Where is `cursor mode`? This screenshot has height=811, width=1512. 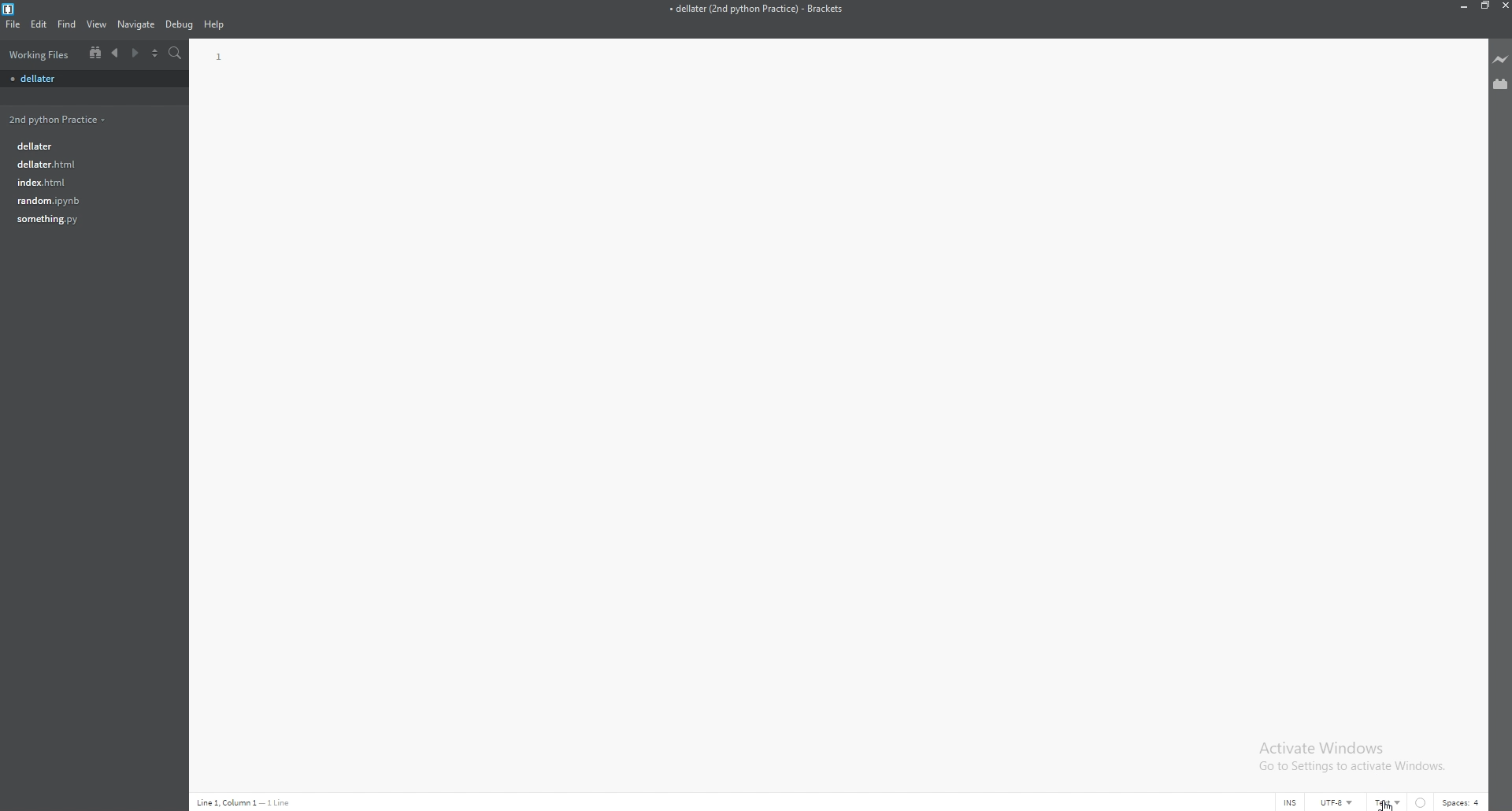
cursor mode is located at coordinates (1291, 802).